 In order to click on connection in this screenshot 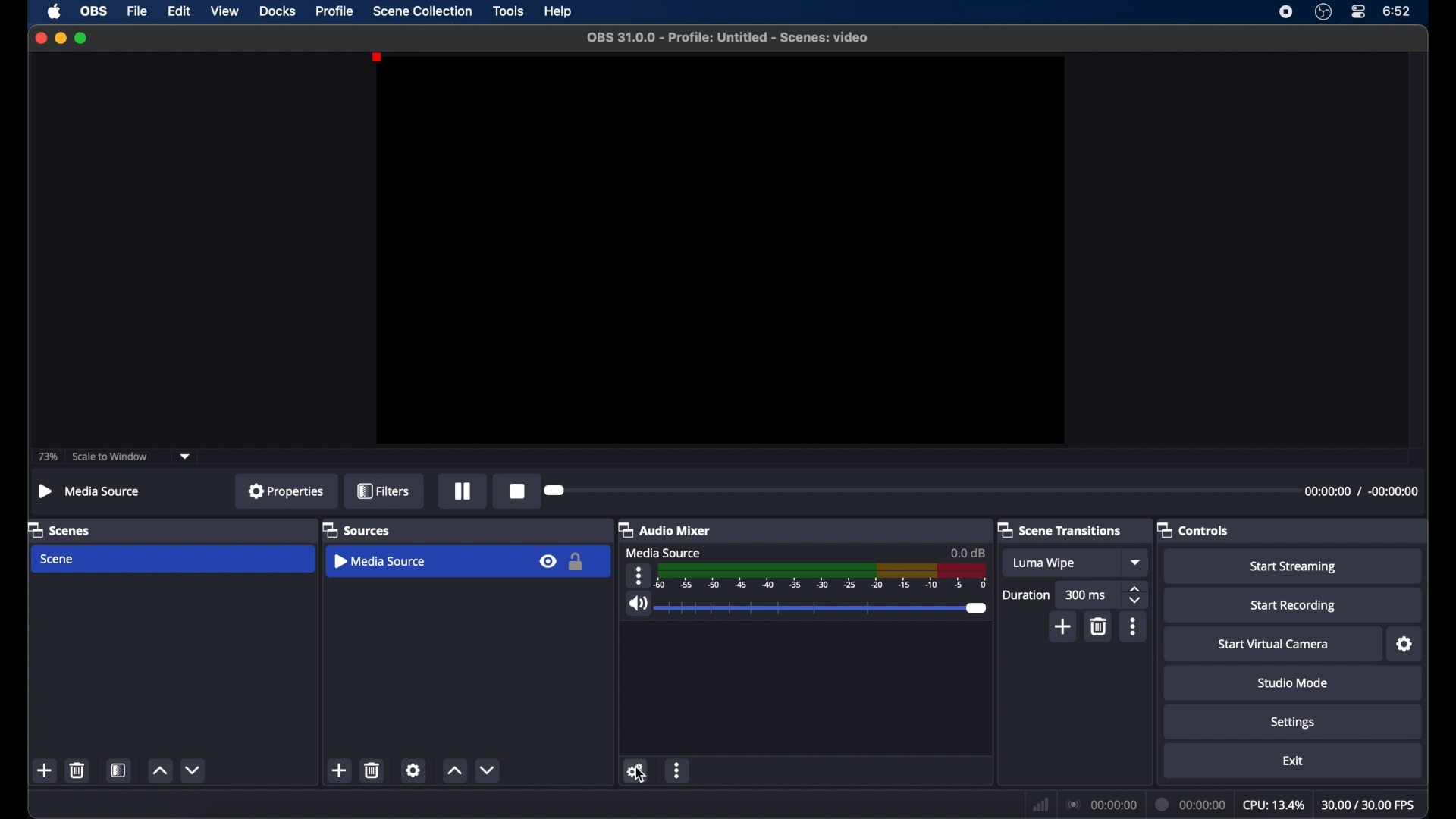, I will do `click(1102, 805)`.